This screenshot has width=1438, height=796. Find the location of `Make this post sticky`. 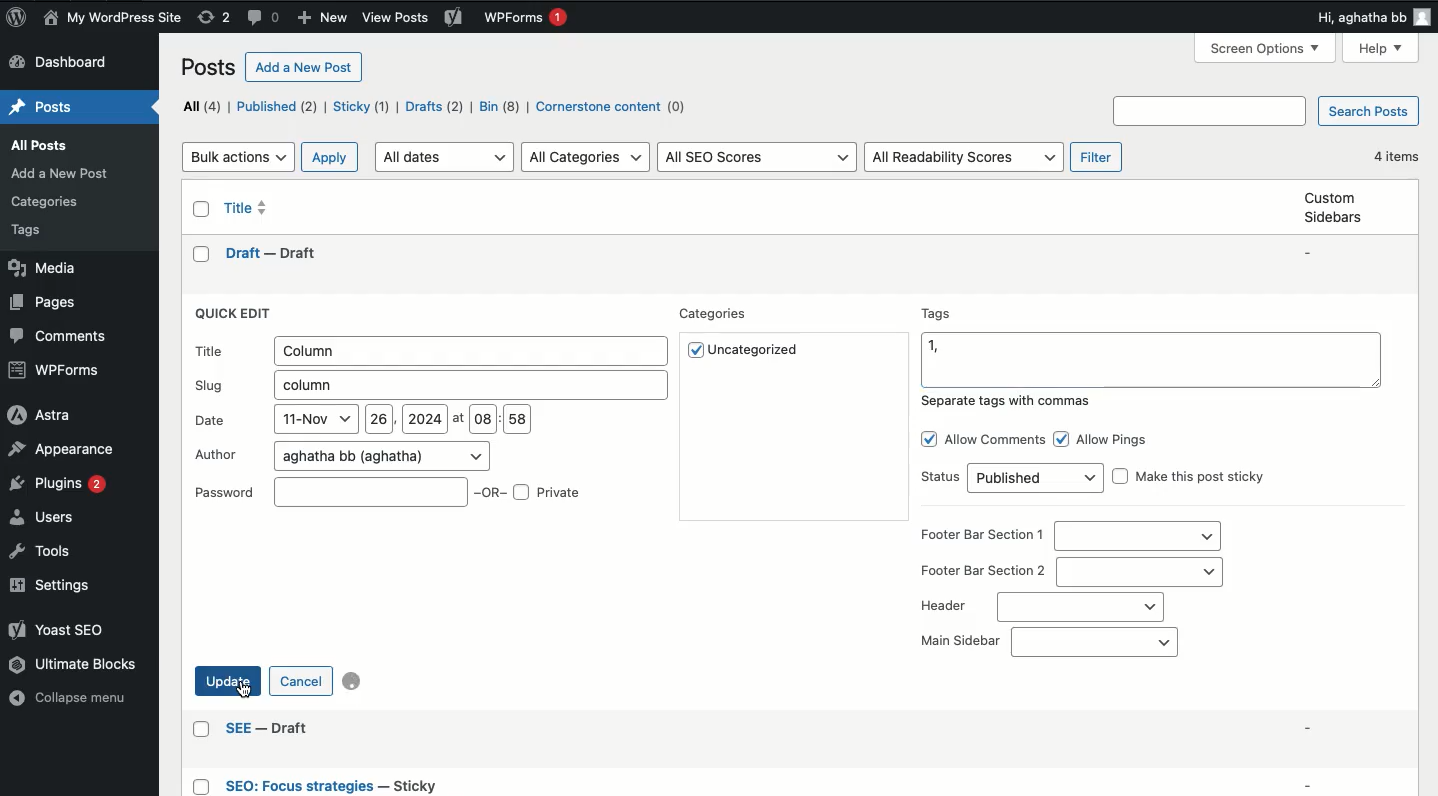

Make this post sticky is located at coordinates (1190, 474).